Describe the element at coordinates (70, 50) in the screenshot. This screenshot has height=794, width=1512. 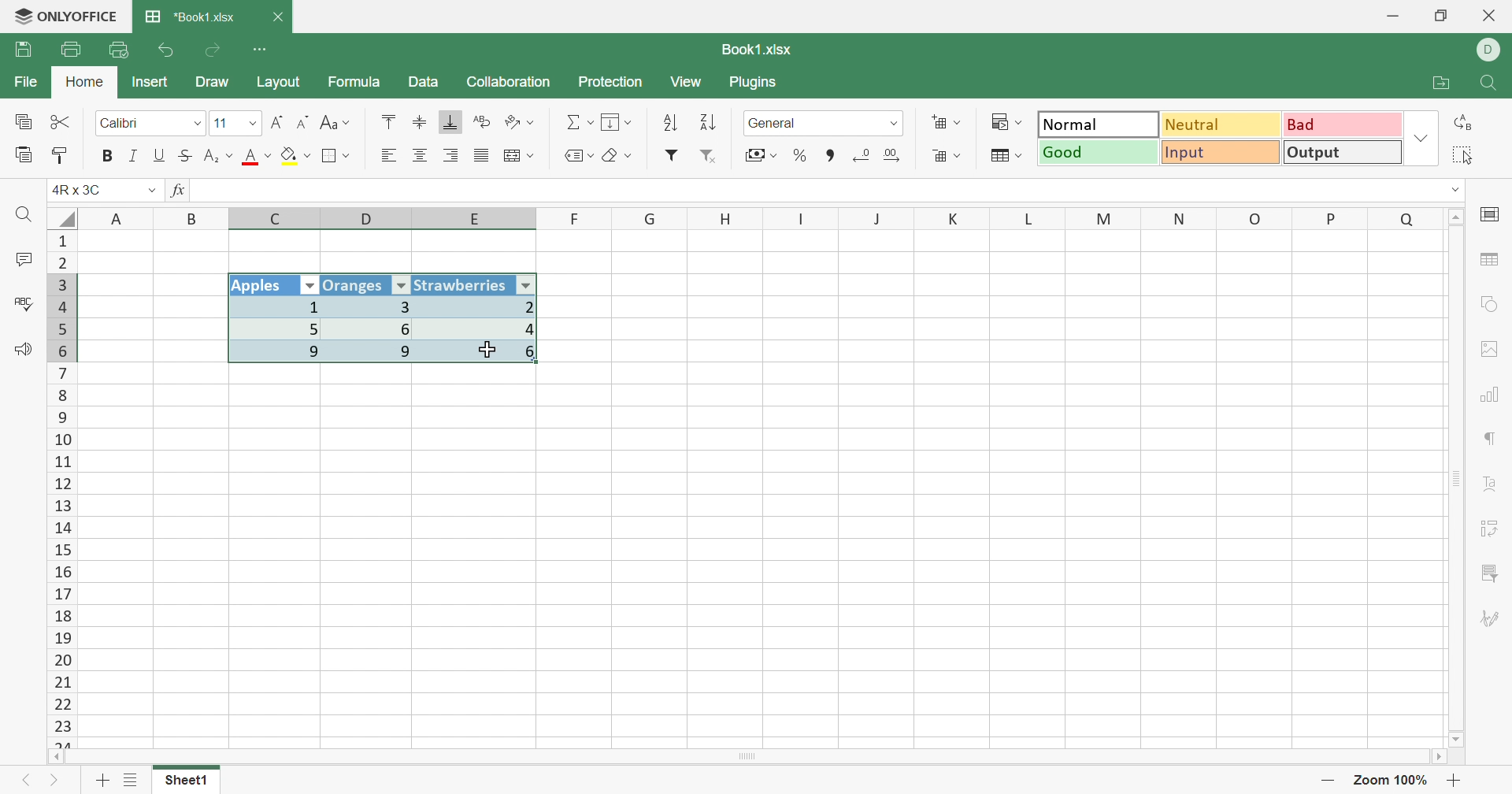
I see `Print` at that location.